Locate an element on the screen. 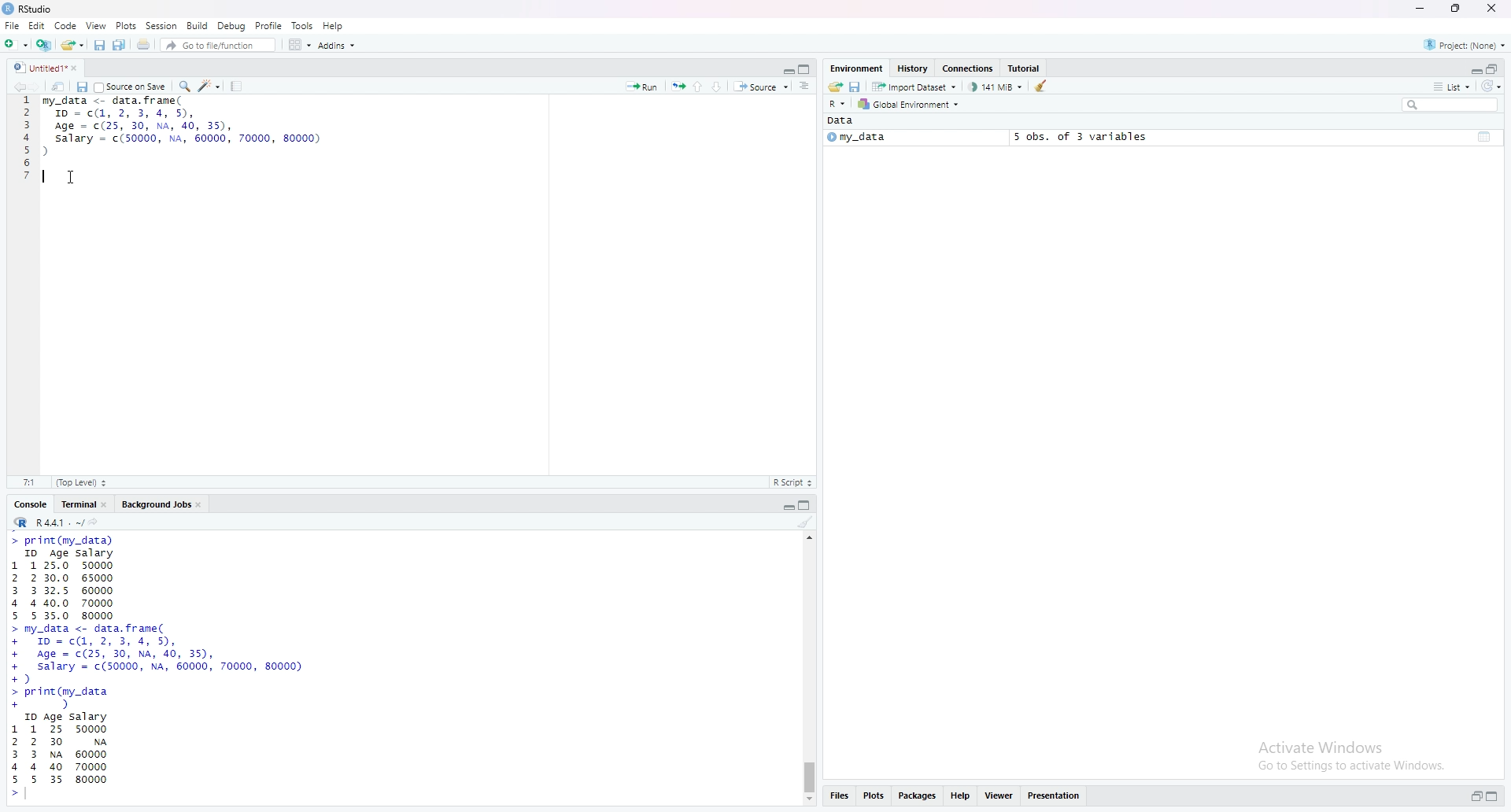 This screenshot has height=812, width=1511. files is located at coordinates (838, 796).